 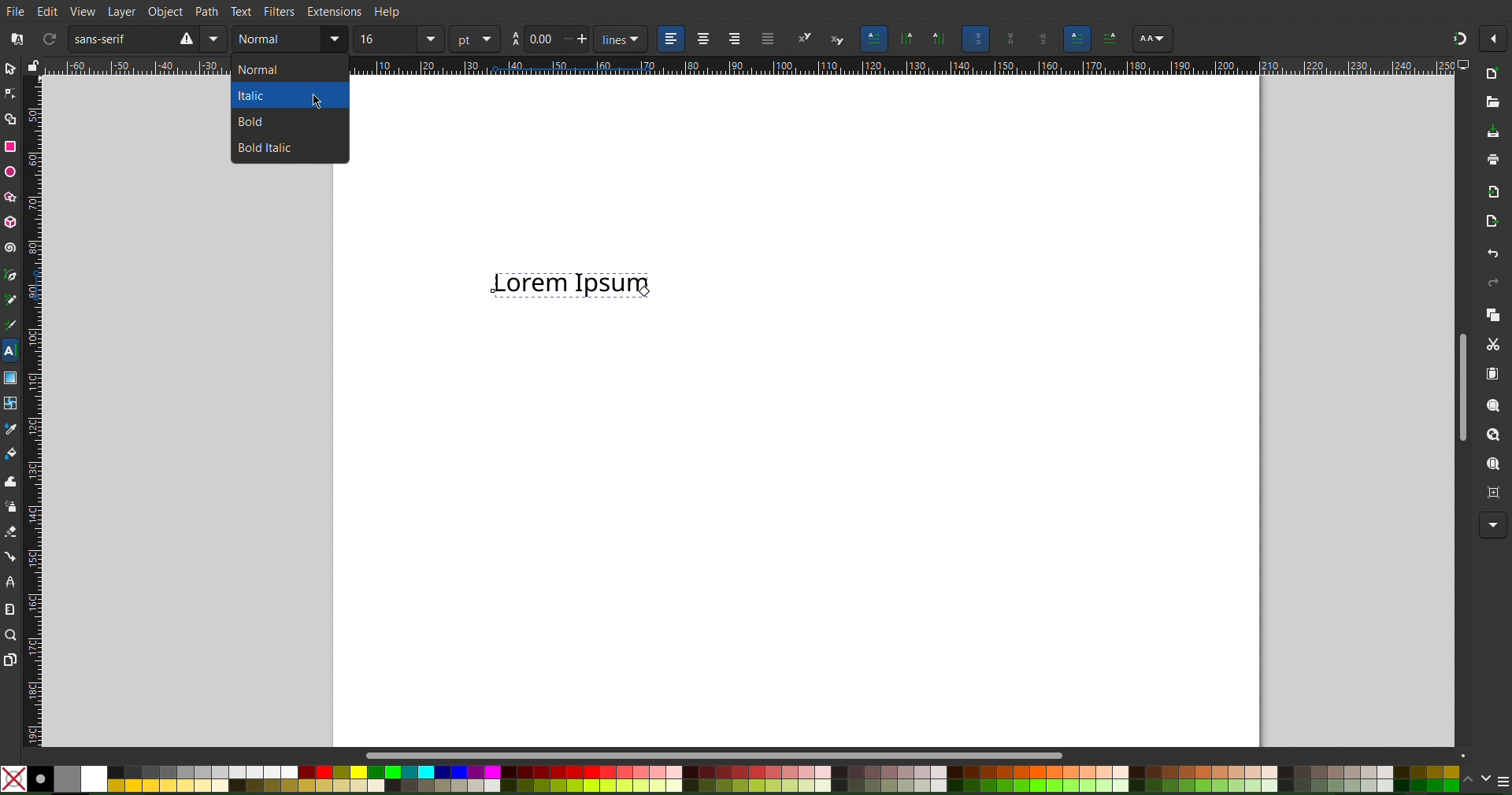 I want to click on Tweak Tool, so click(x=13, y=481).